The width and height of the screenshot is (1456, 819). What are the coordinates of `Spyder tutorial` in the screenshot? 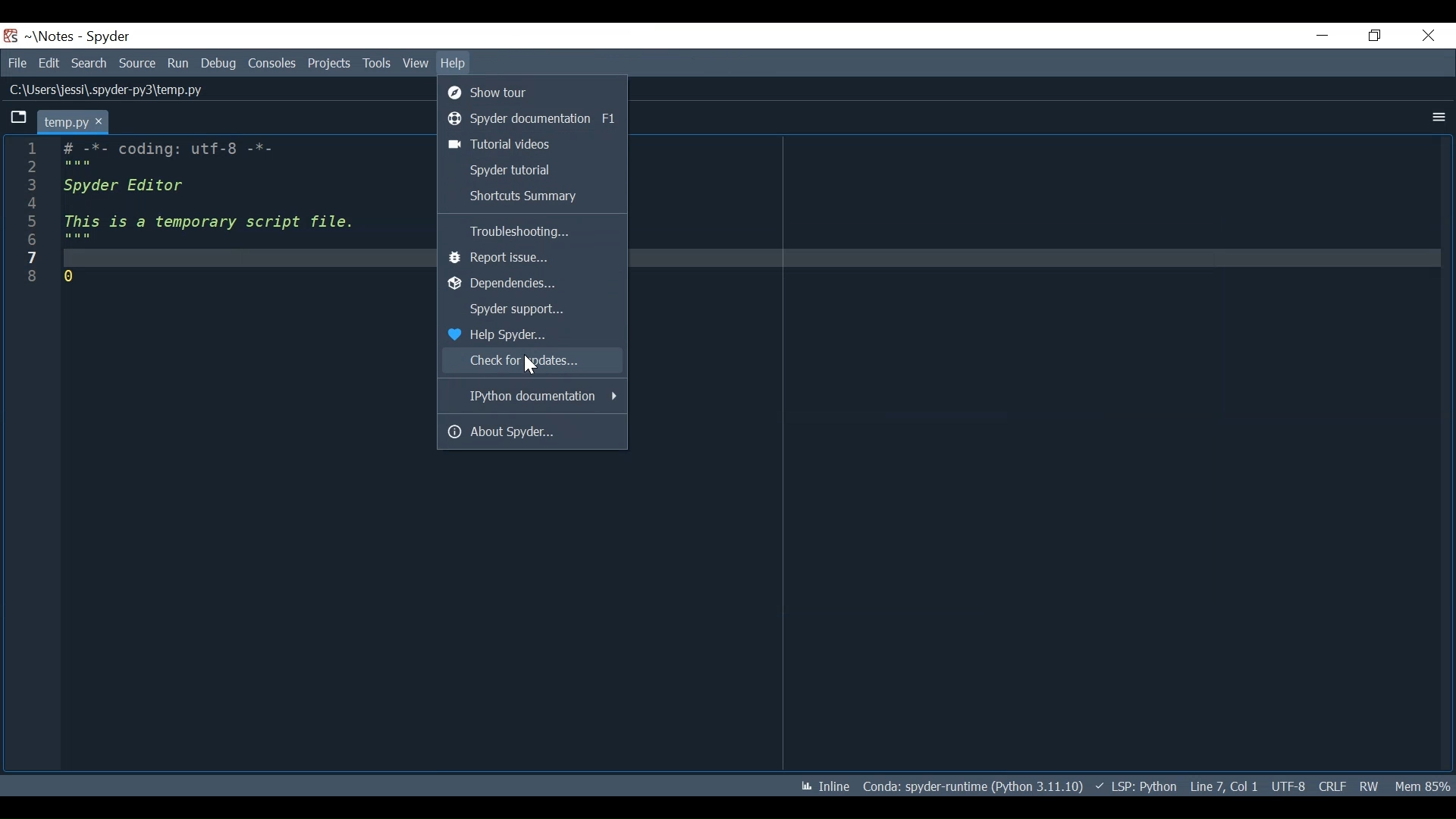 It's located at (531, 169).